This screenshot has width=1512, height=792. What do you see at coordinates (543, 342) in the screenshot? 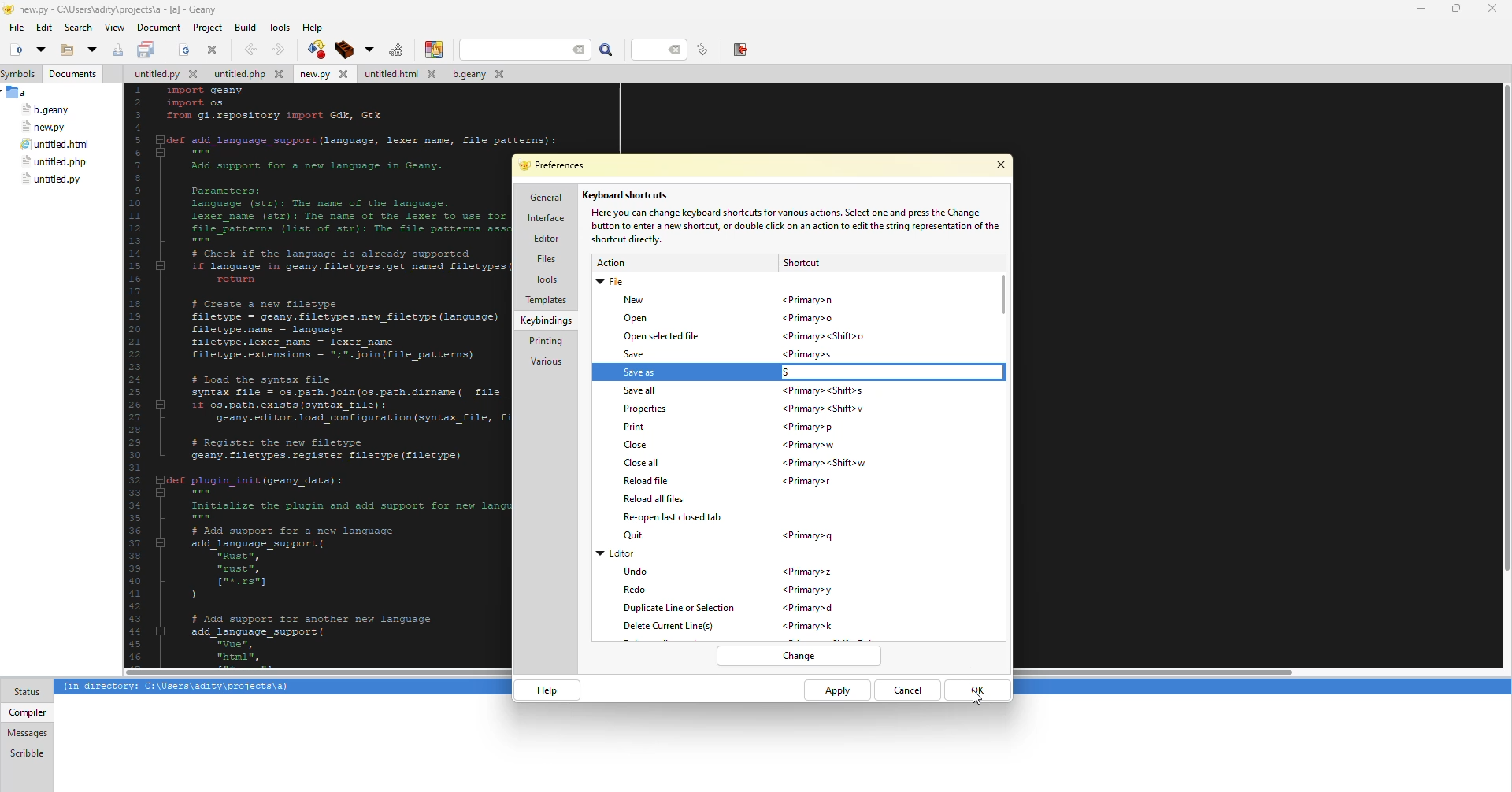
I see `printing` at bounding box center [543, 342].